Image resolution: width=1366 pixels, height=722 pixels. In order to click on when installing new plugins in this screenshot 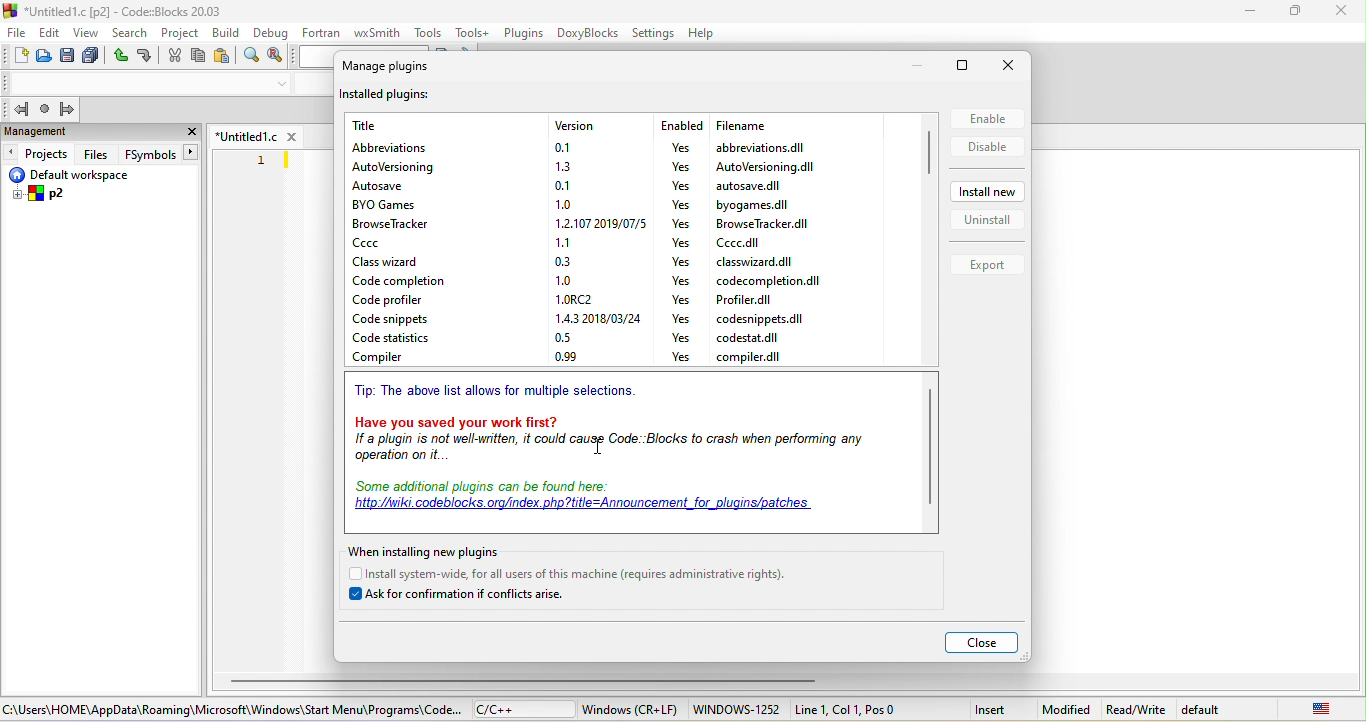, I will do `click(438, 551)`.